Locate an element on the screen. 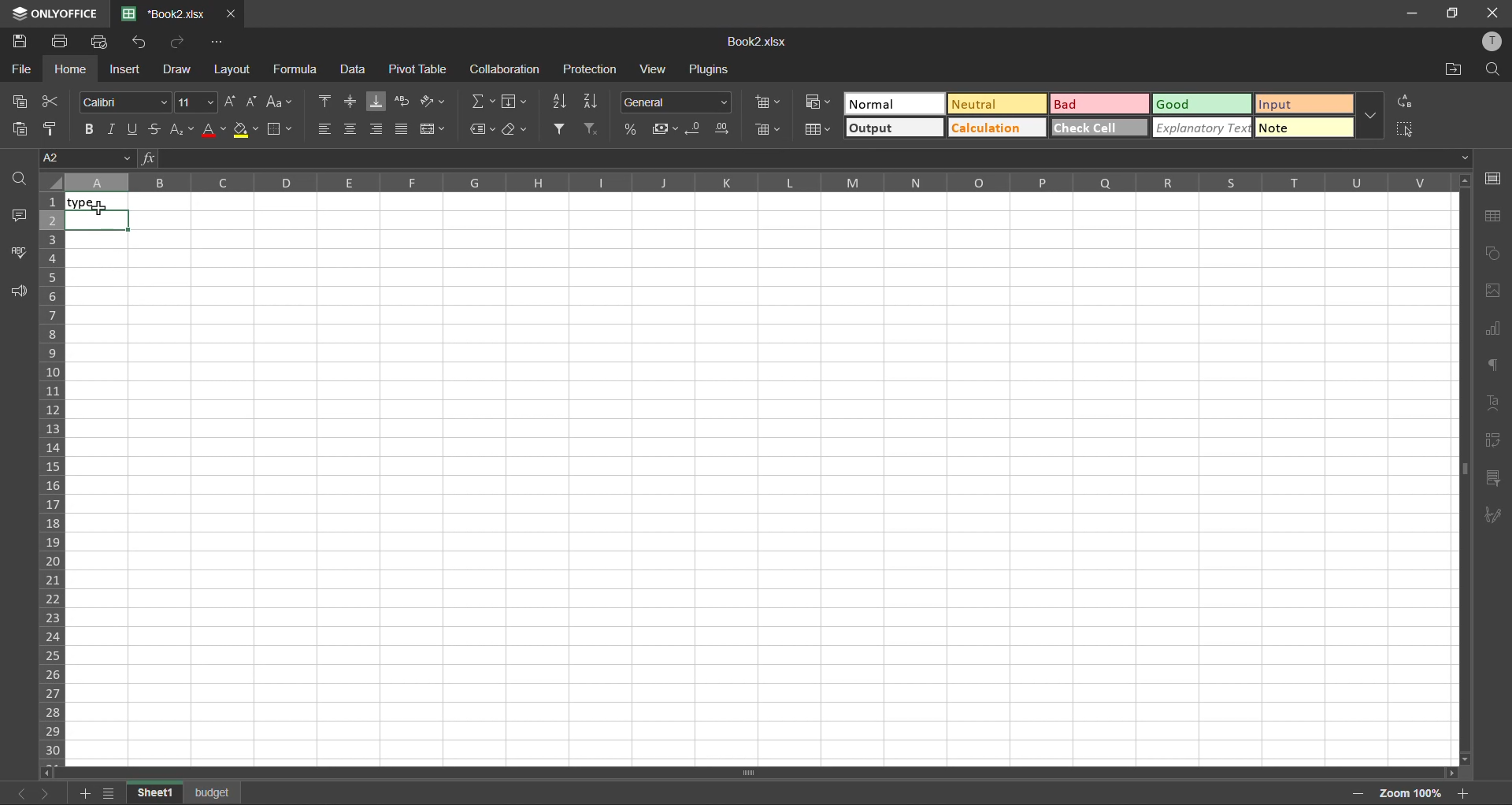 The width and height of the screenshot is (1512, 805). Book2.xlsx is located at coordinates (166, 14).